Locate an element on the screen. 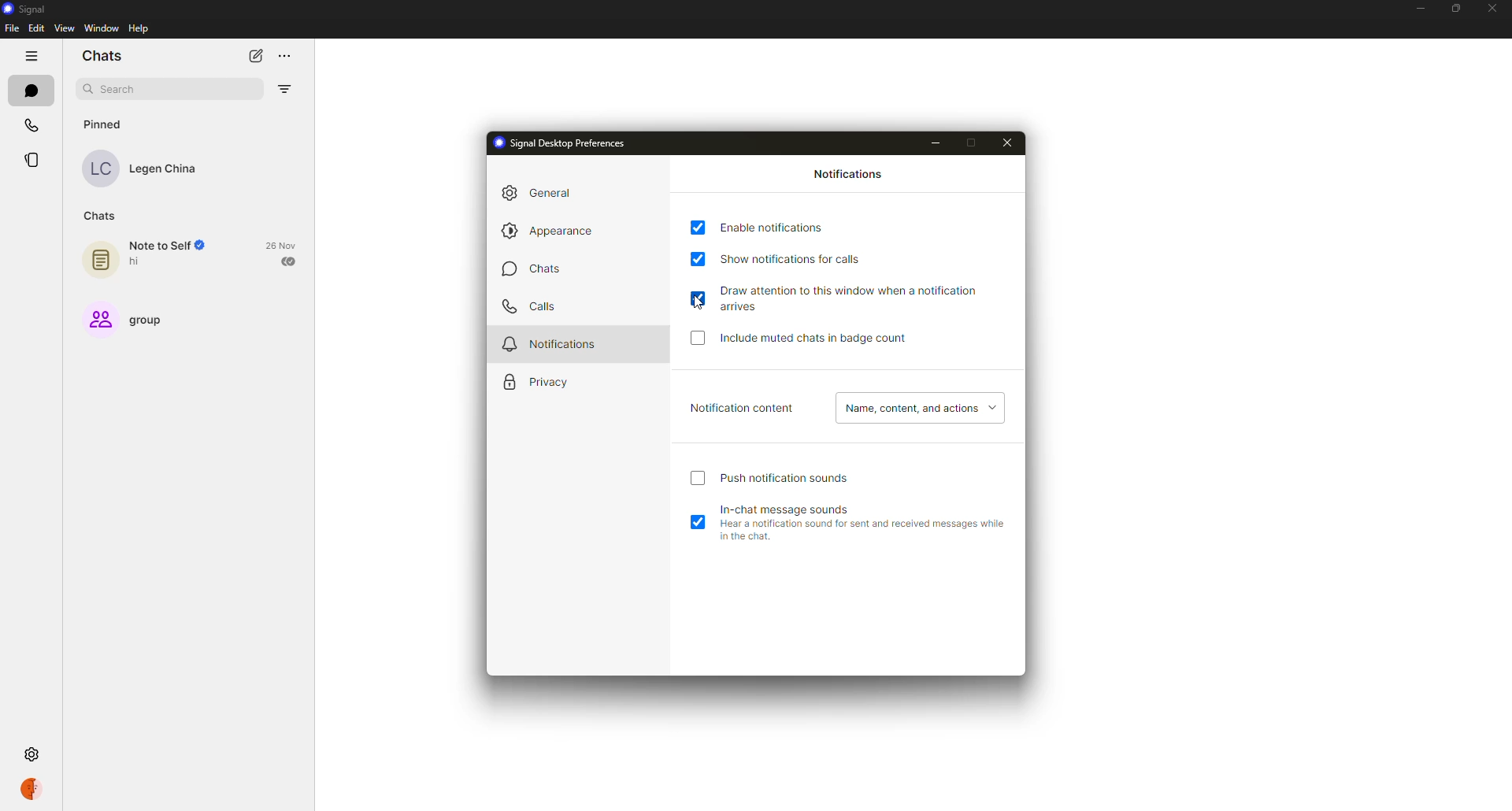 This screenshot has height=811, width=1512. signal is located at coordinates (27, 8).